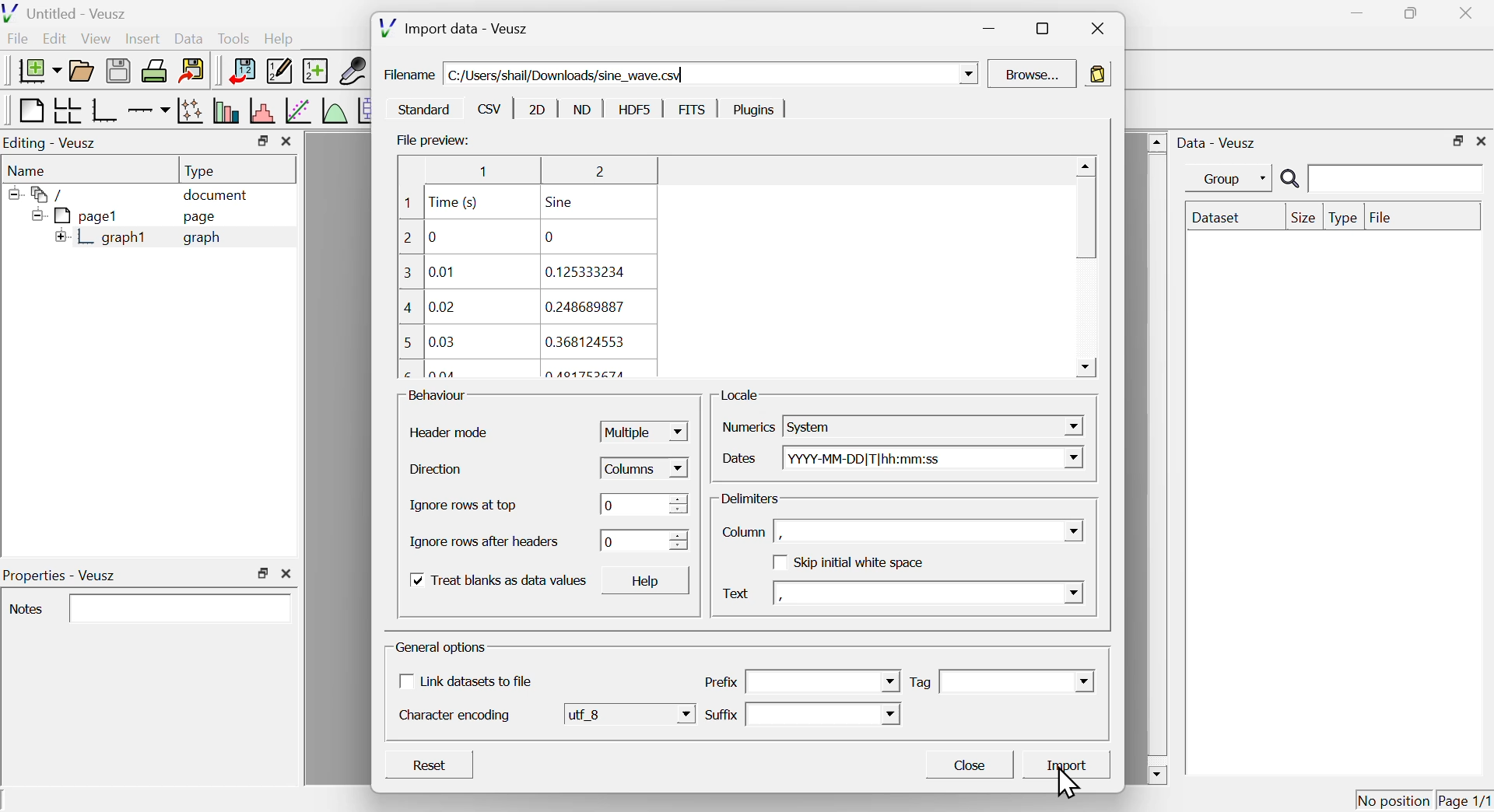 The height and width of the screenshot is (812, 1494). Describe the element at coordinates (192, 72) in the screenshot. I see `export to graphic formats` at that location.